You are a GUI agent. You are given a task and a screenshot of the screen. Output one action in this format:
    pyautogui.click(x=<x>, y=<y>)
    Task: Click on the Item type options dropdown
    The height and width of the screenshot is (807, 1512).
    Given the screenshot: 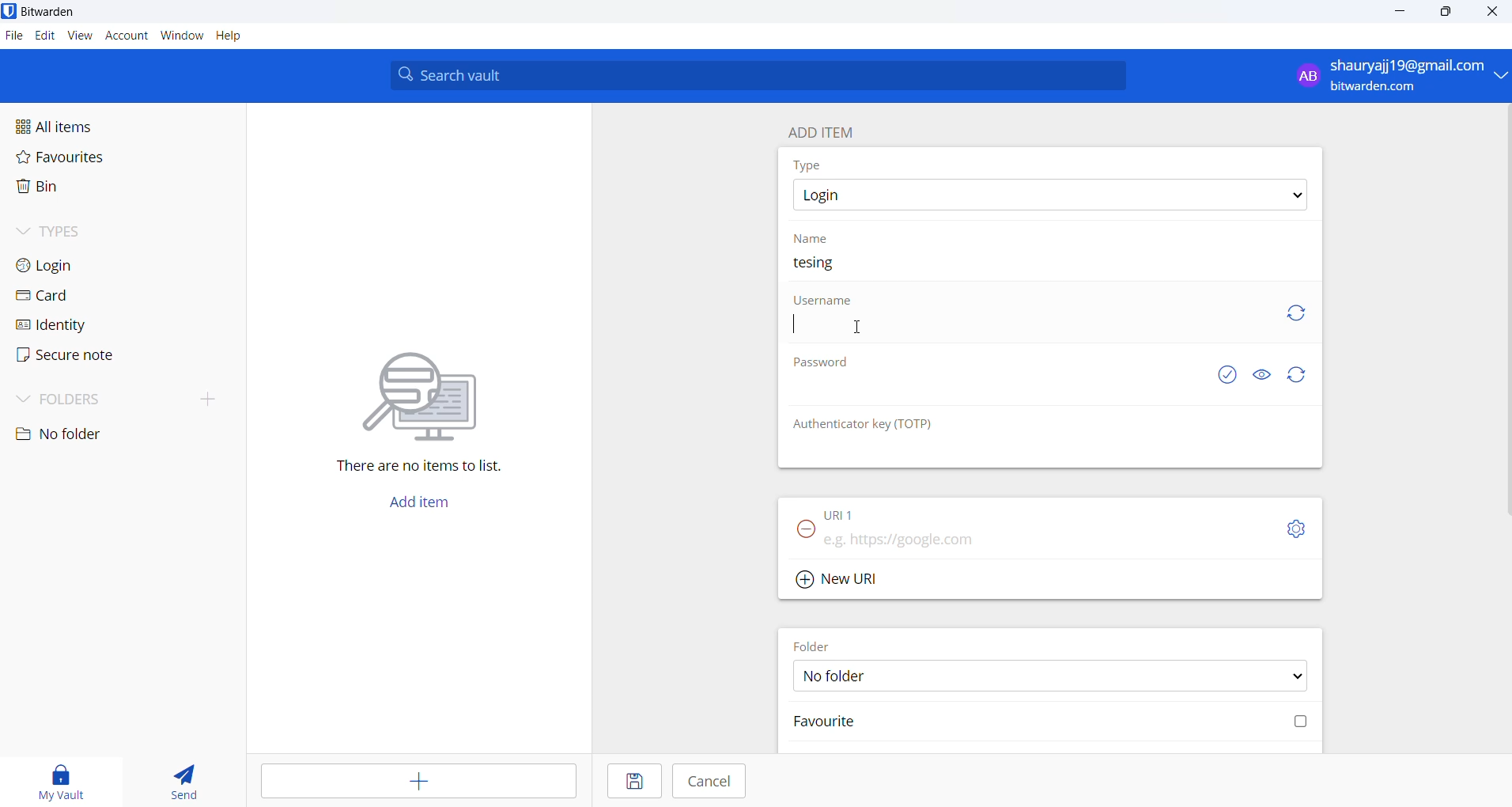 What is the action you would take?
    pyautogui.click(x=1049, y=195)
    